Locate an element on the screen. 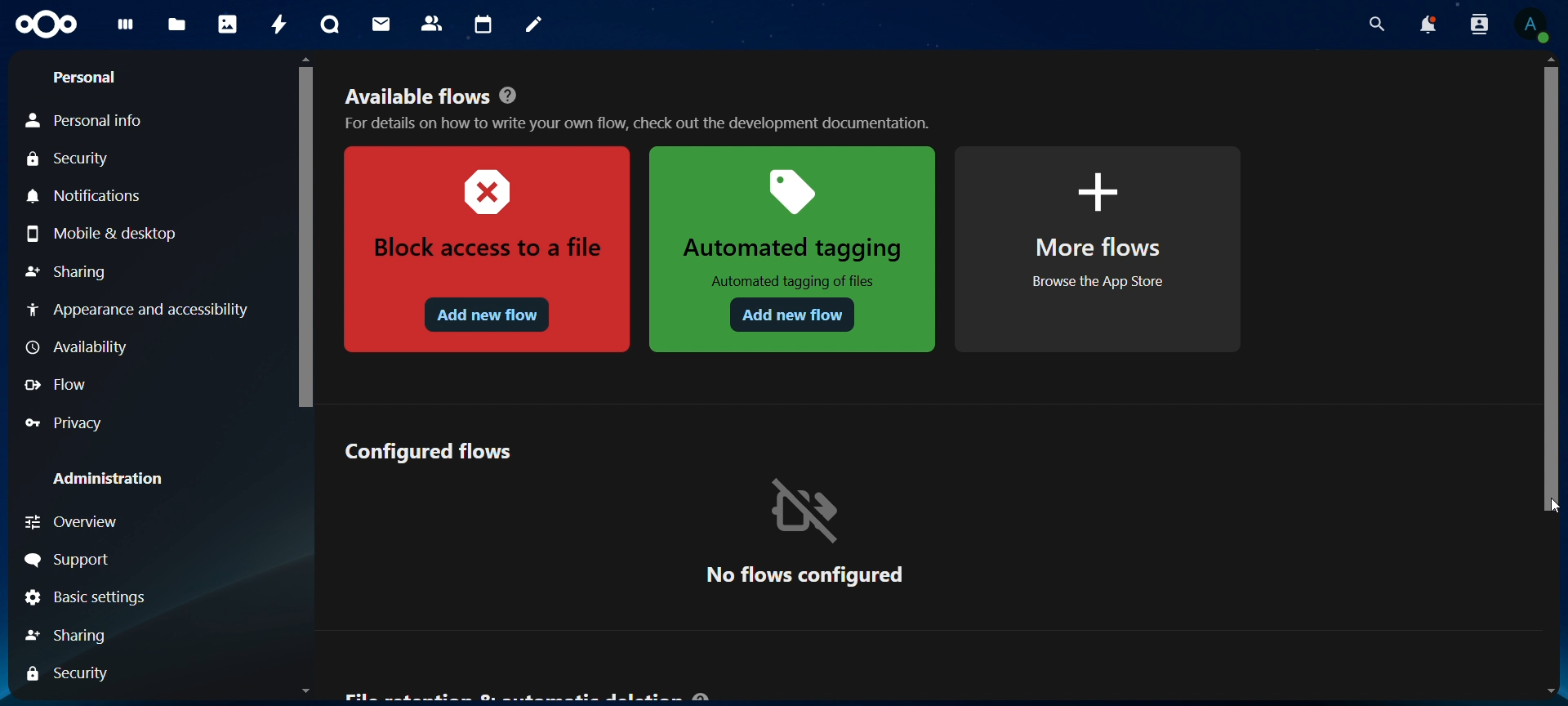 The image size is (1568, 706). privacy is located at coordinates (74, 422).